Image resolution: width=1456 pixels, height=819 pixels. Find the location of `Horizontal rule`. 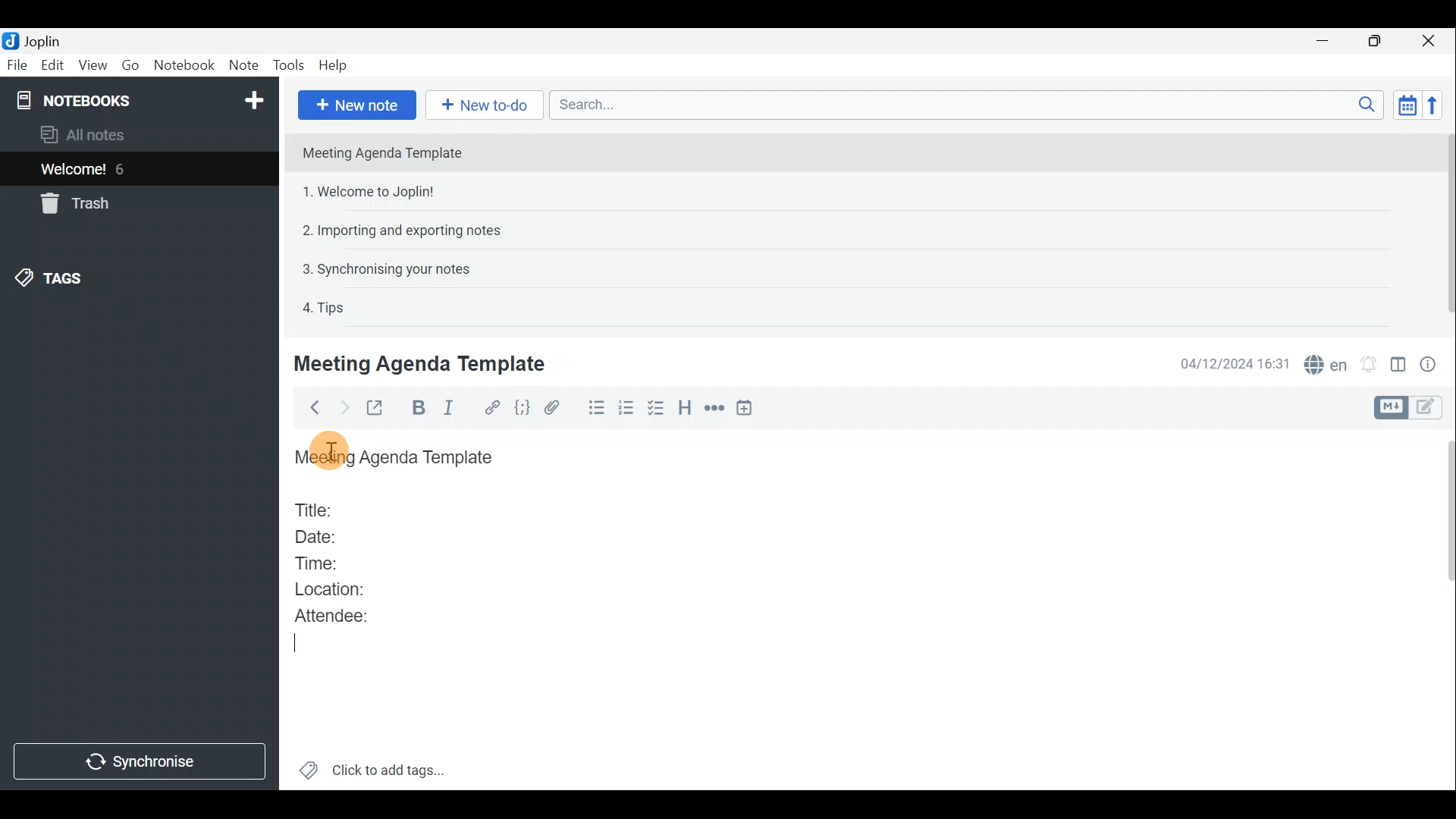

Horizontal rule is located at coordinates (716, 409).